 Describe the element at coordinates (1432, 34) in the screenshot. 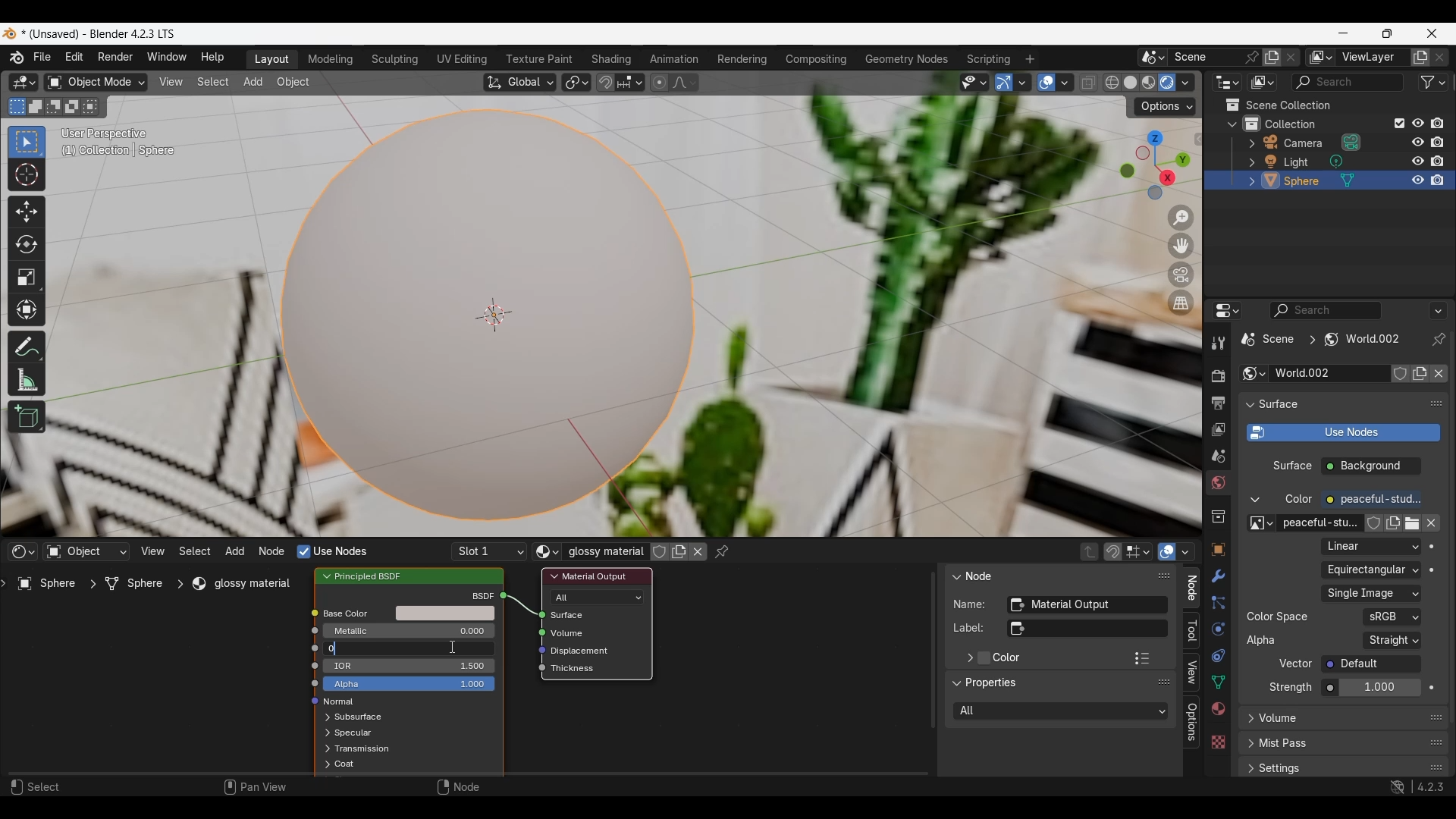

I see `Close interface` at that location.